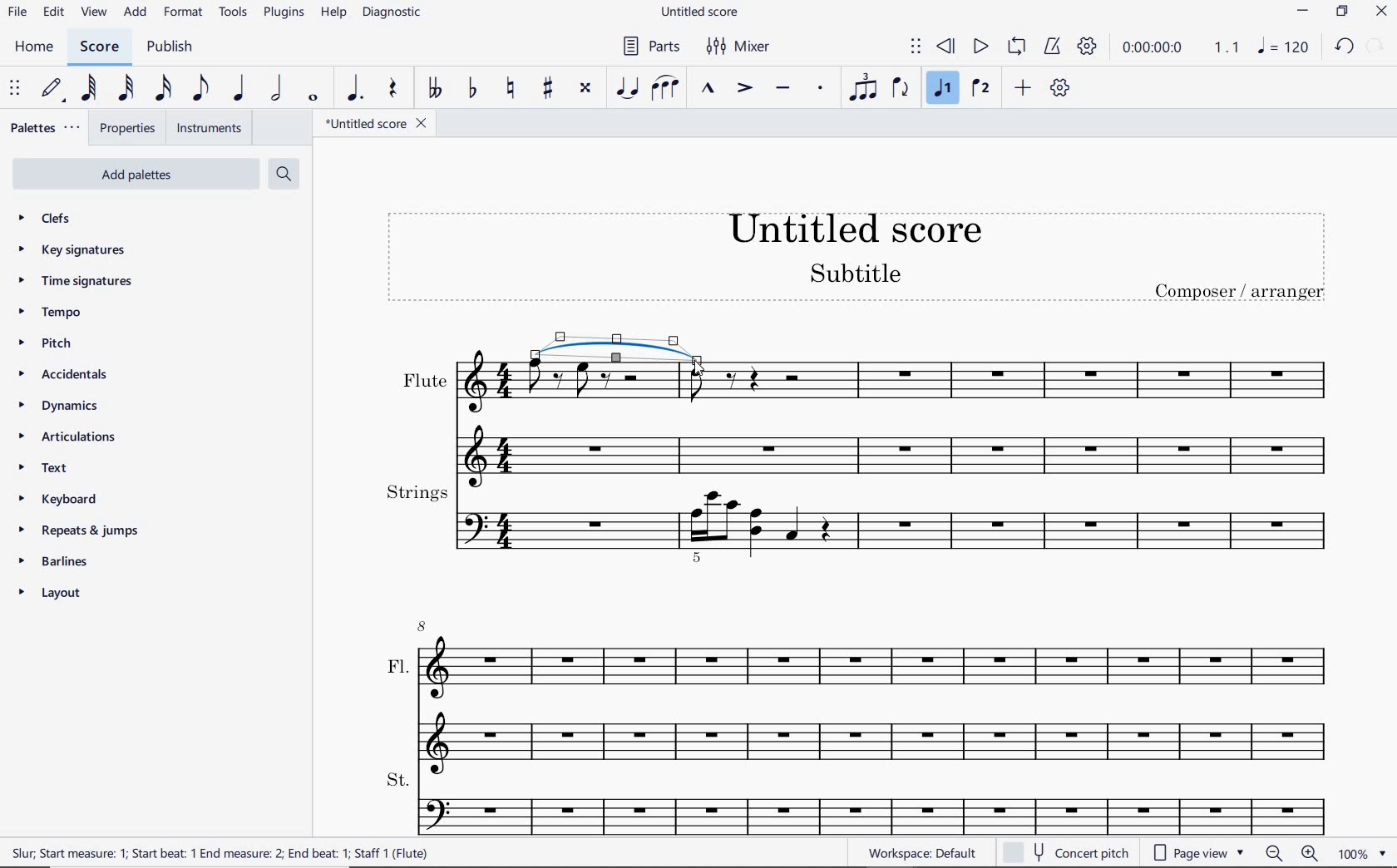  I want to click on FLIP DIRECTION, so click(903, 92).